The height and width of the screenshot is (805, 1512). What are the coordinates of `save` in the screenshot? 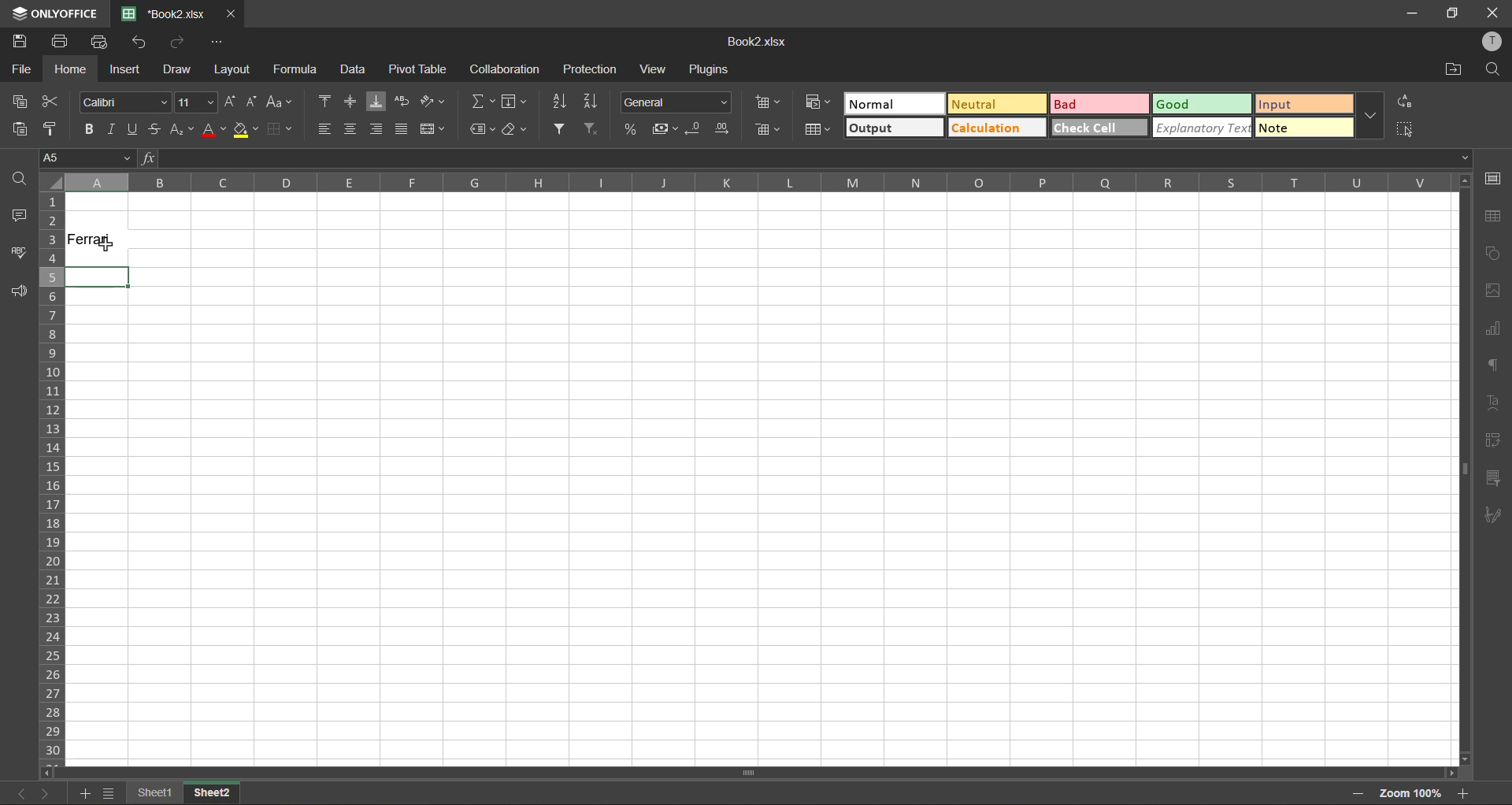 It's located at (21, 42).